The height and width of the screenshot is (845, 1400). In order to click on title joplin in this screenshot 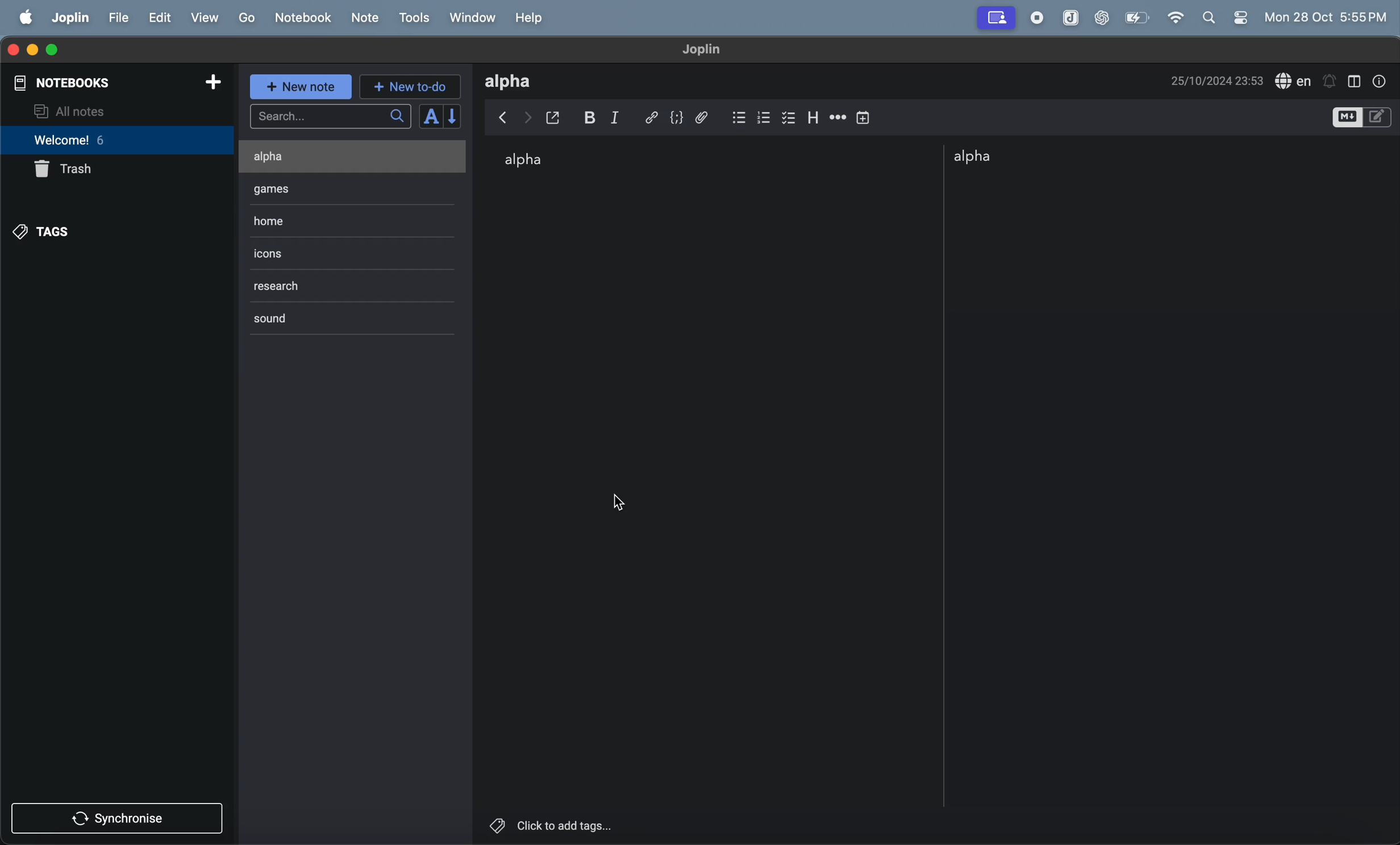, I will do `click(708, 50)`.